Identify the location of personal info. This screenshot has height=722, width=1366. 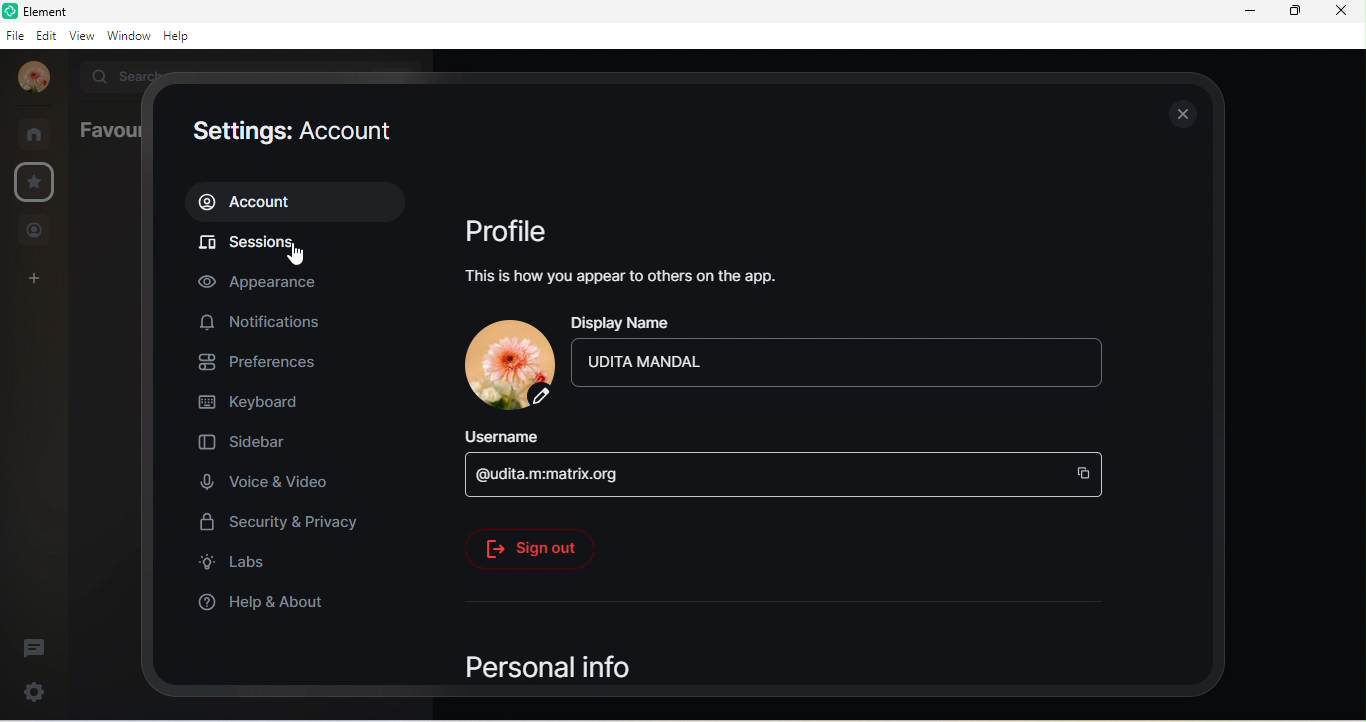
(547, 667).